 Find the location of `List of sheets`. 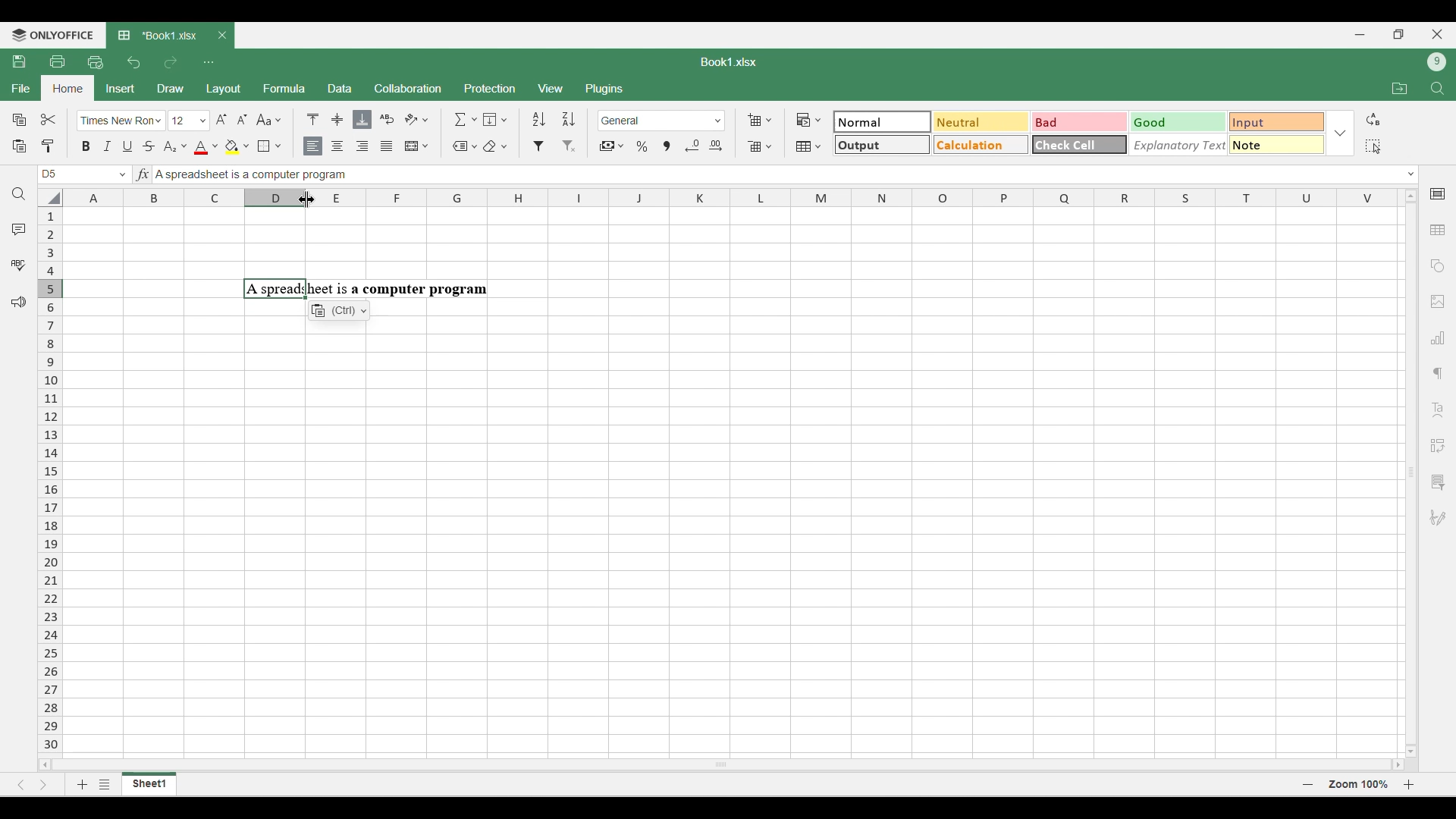

List of sheets is located at coordinates (105, 784).